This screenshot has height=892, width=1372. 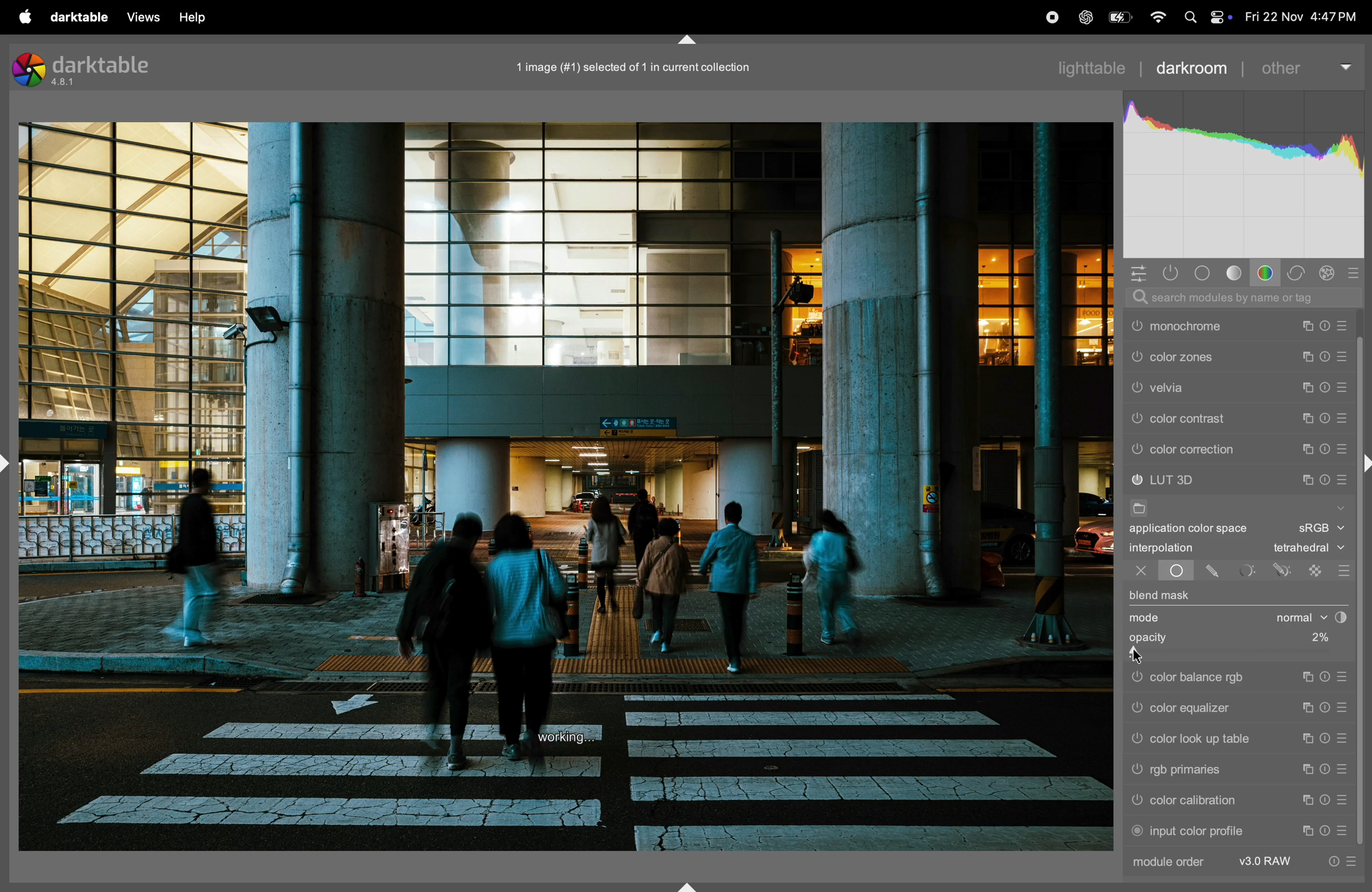 What do you see at coordinates (1343, 417) in the screenshot?
I see `presets` at bounding box center [1343, 417].